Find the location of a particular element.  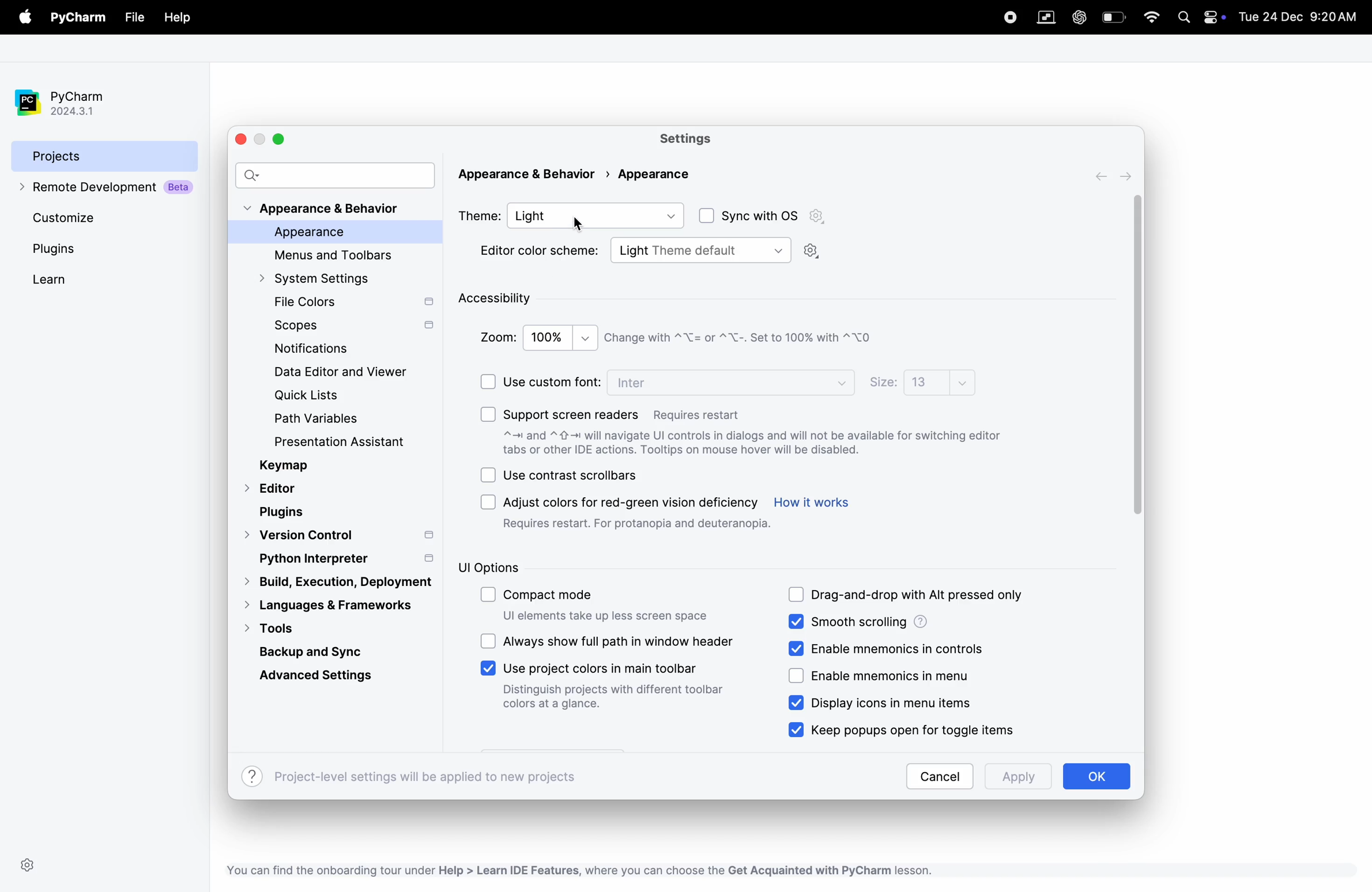

apply is located at coordinates (1014, 778).